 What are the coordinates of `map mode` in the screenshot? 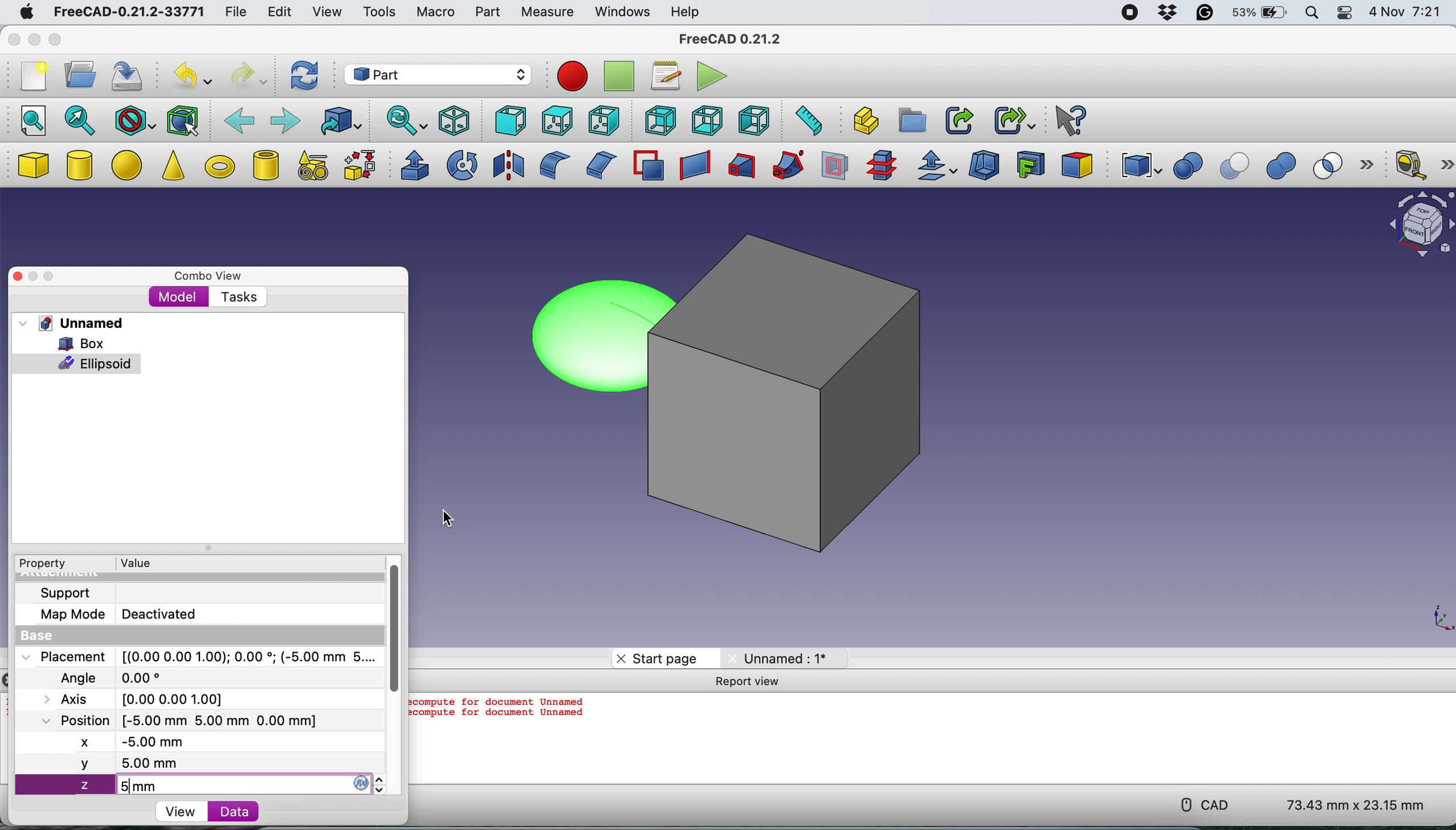 It's located at (68, 616).